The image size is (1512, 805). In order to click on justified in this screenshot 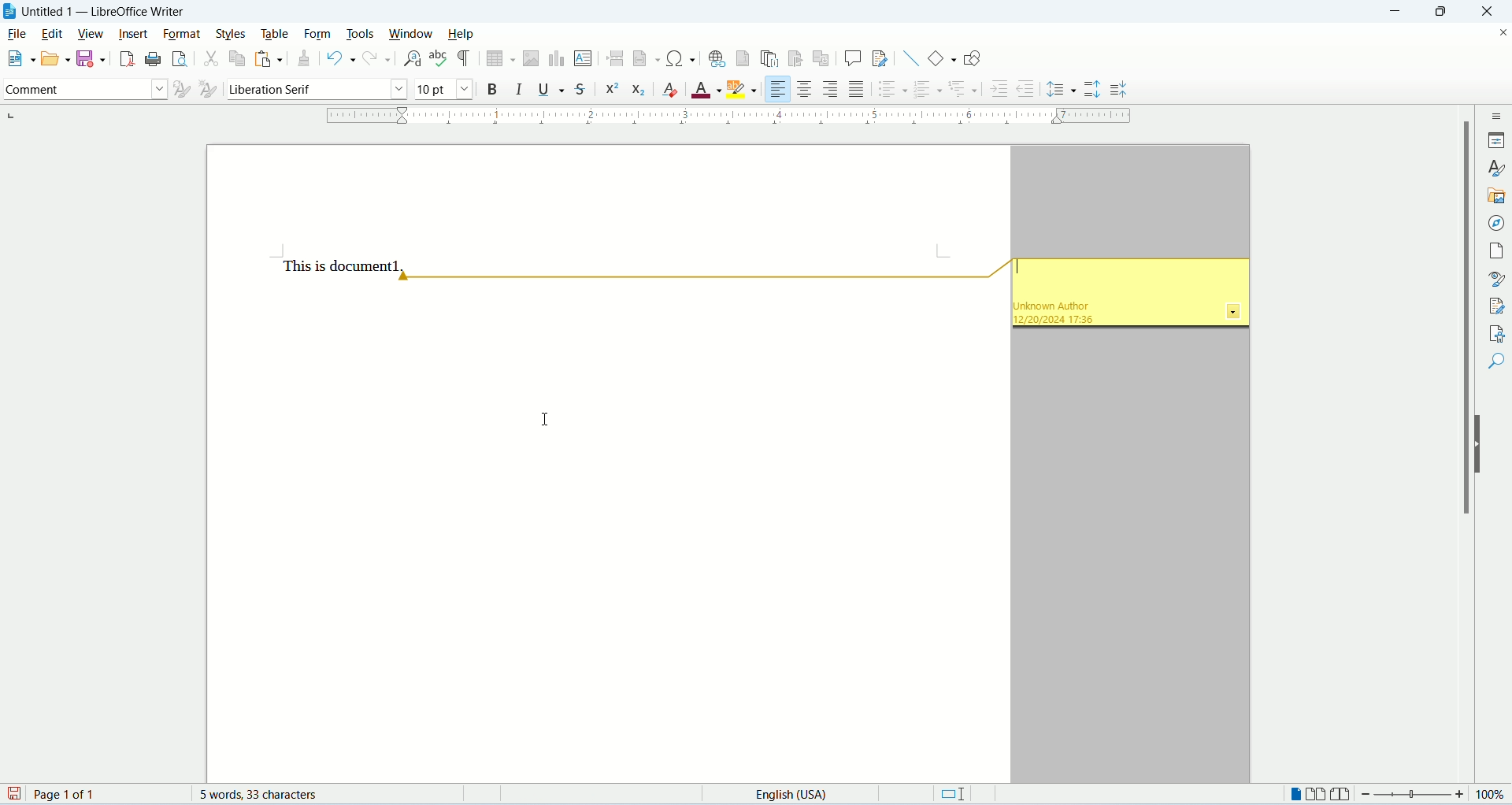, I will do `click(857, 90)`.